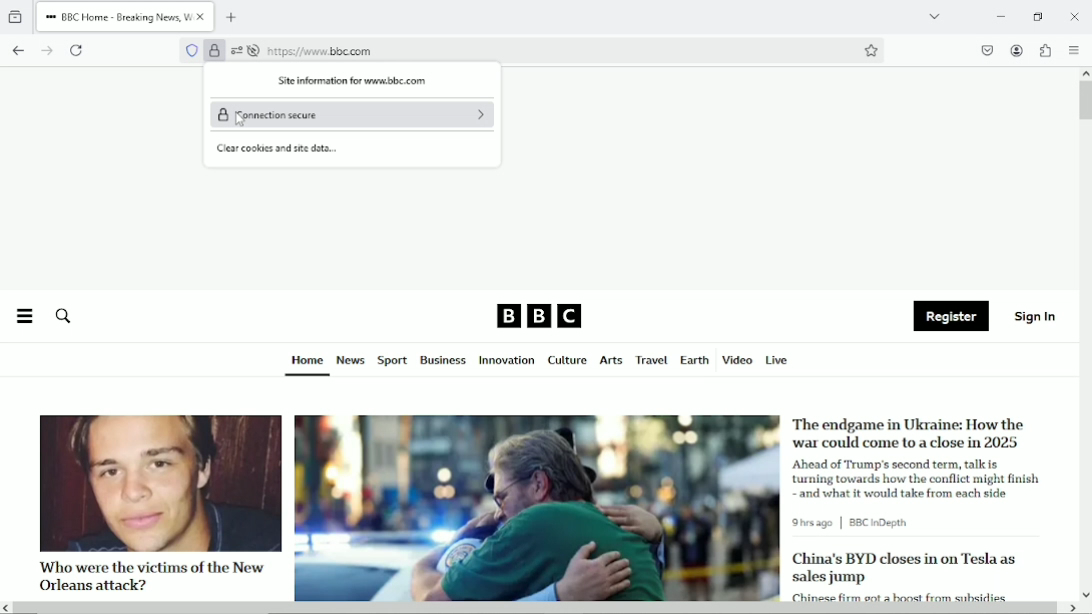 The width and height of the screenshot is (1092, 614). What do you see at coordinates (854, 523) in the screenshot?
I see `9 hrs ago | BBC in Depth` at bounding box center [854, 523].